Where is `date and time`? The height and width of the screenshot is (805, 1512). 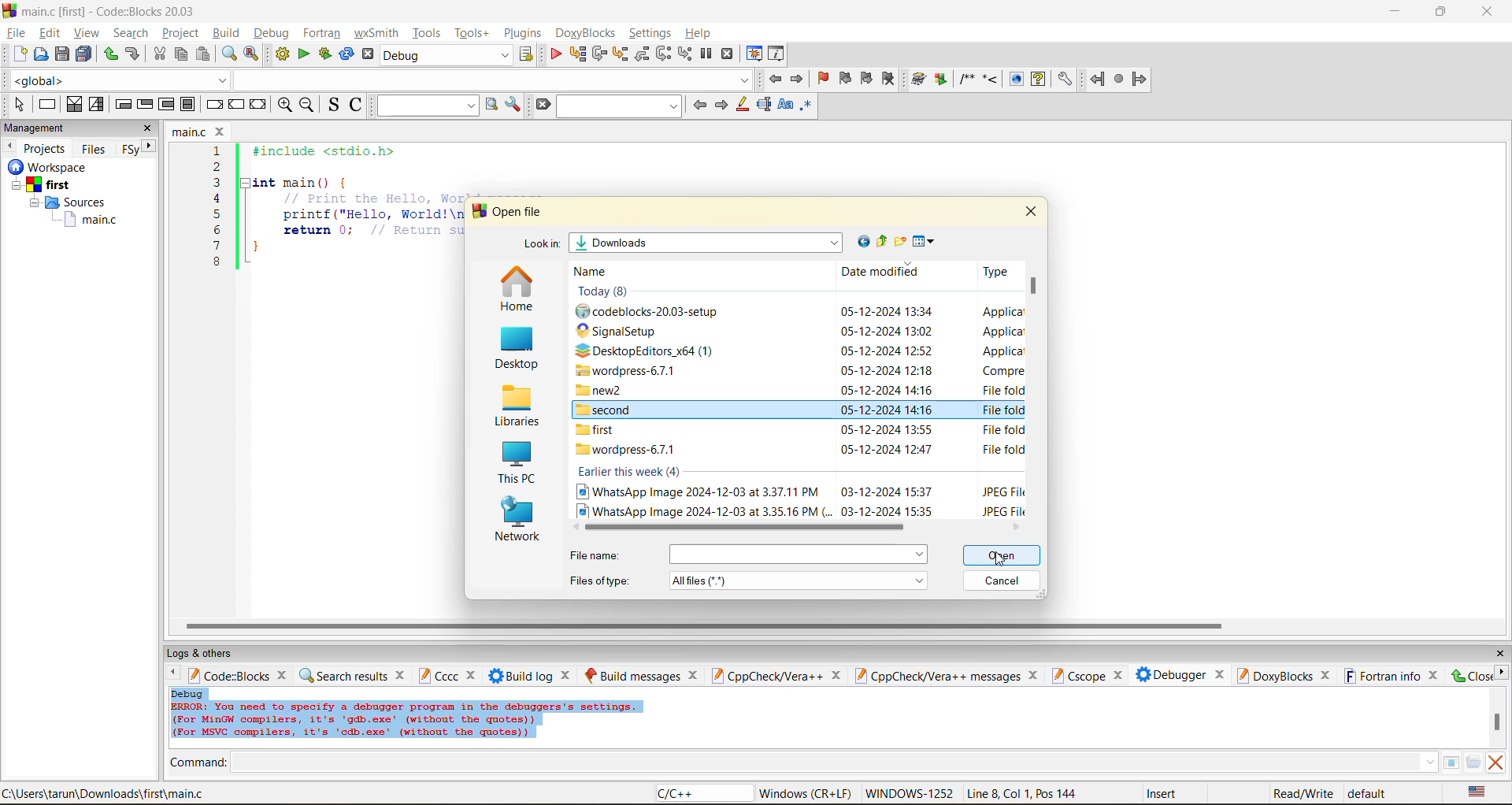 date and time is located at coordinates (886, 491).